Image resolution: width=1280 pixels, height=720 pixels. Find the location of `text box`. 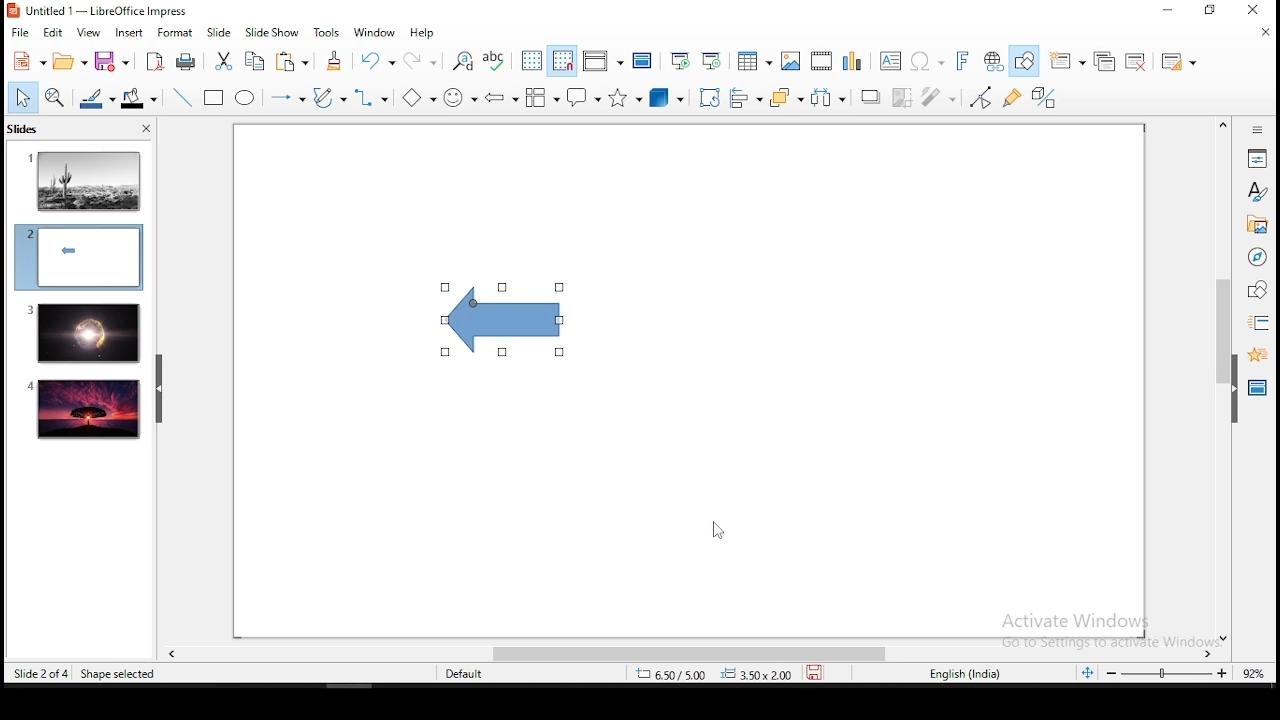

text box is located at coordinates (889, 61).